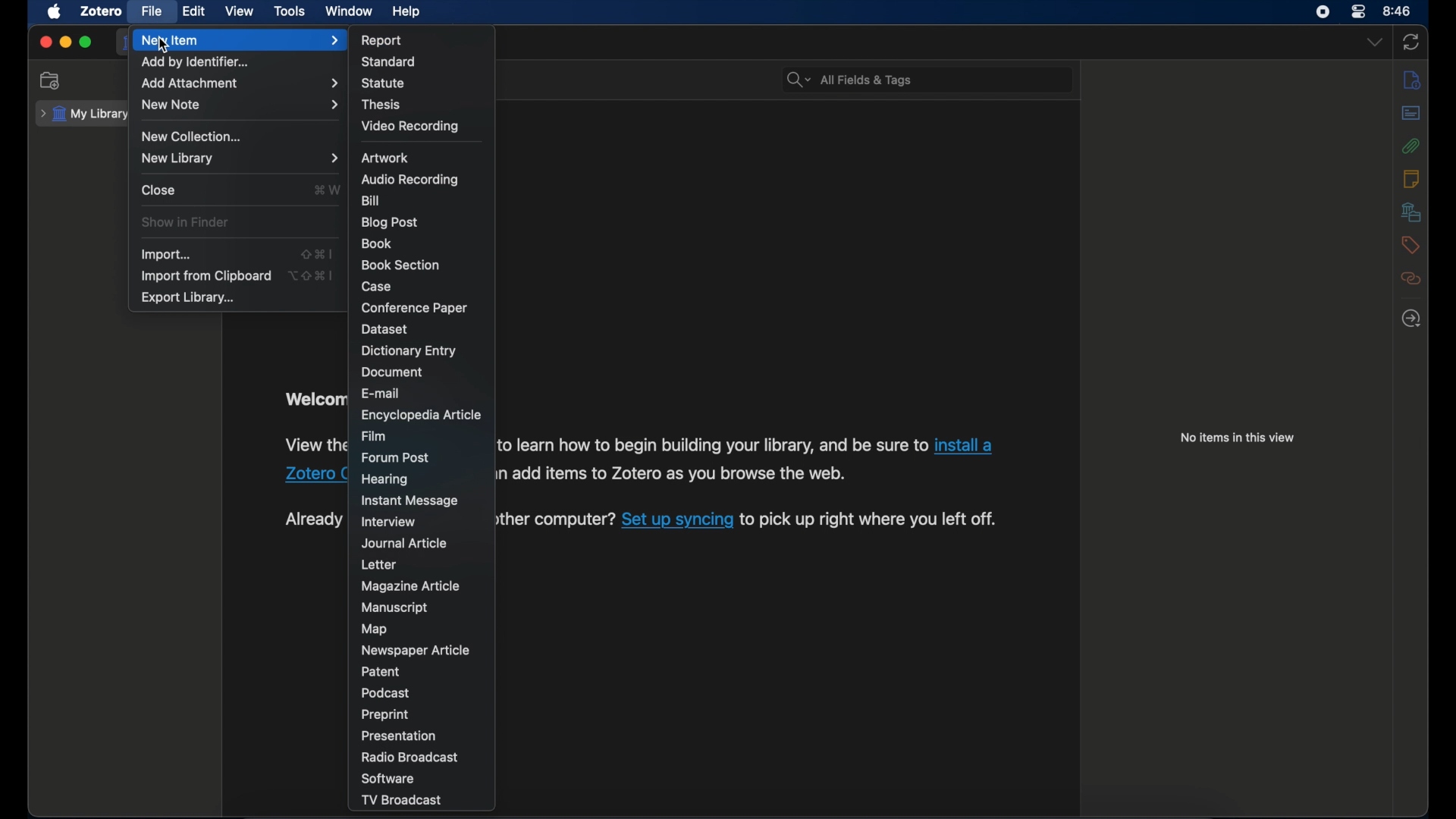 The height and width of the screenshot is (819, 1456). I want to click on document, so click(395, 372).